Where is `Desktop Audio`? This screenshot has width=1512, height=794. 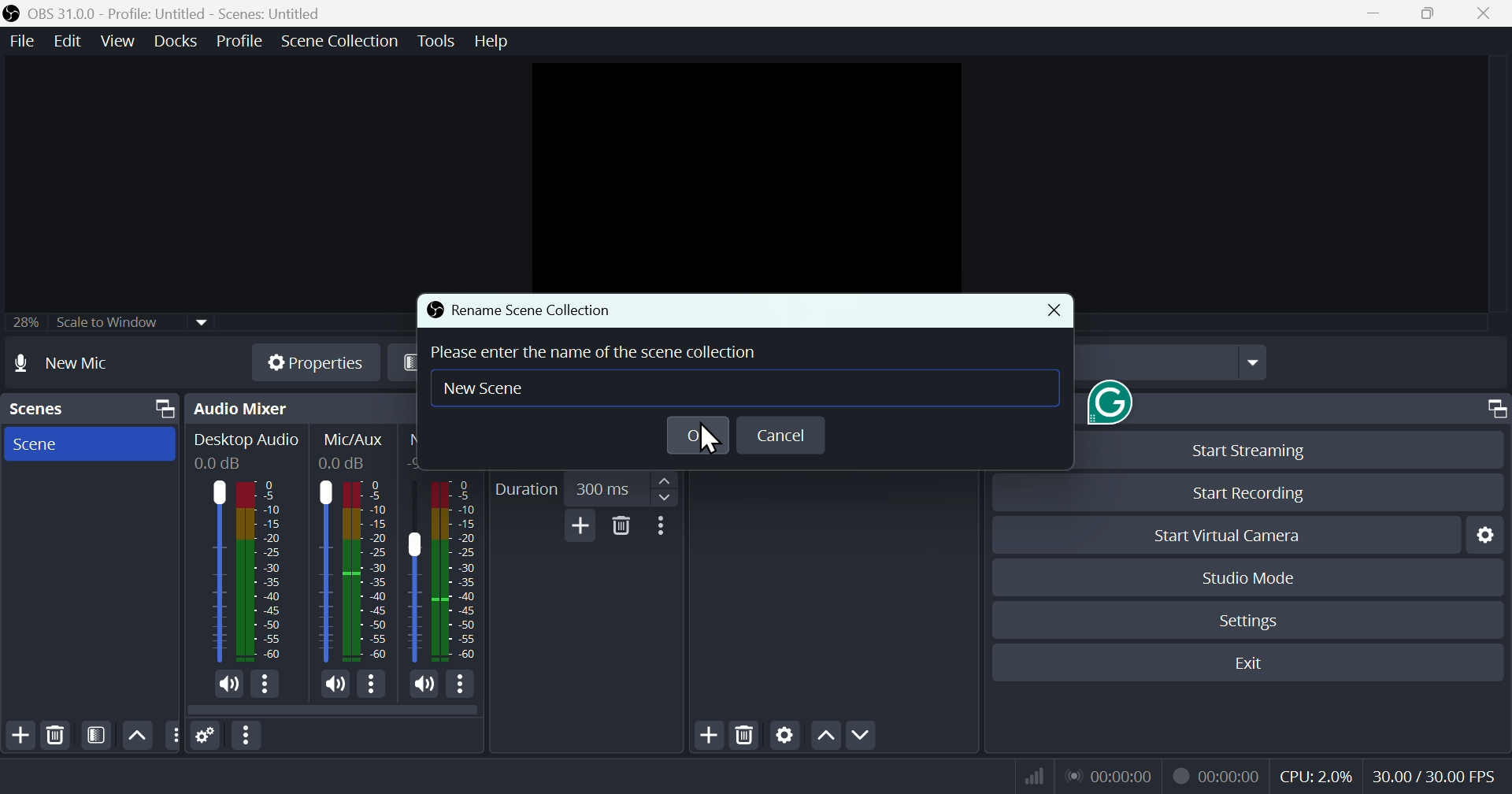 Desktop Audio is located at coordinates (263, 572).